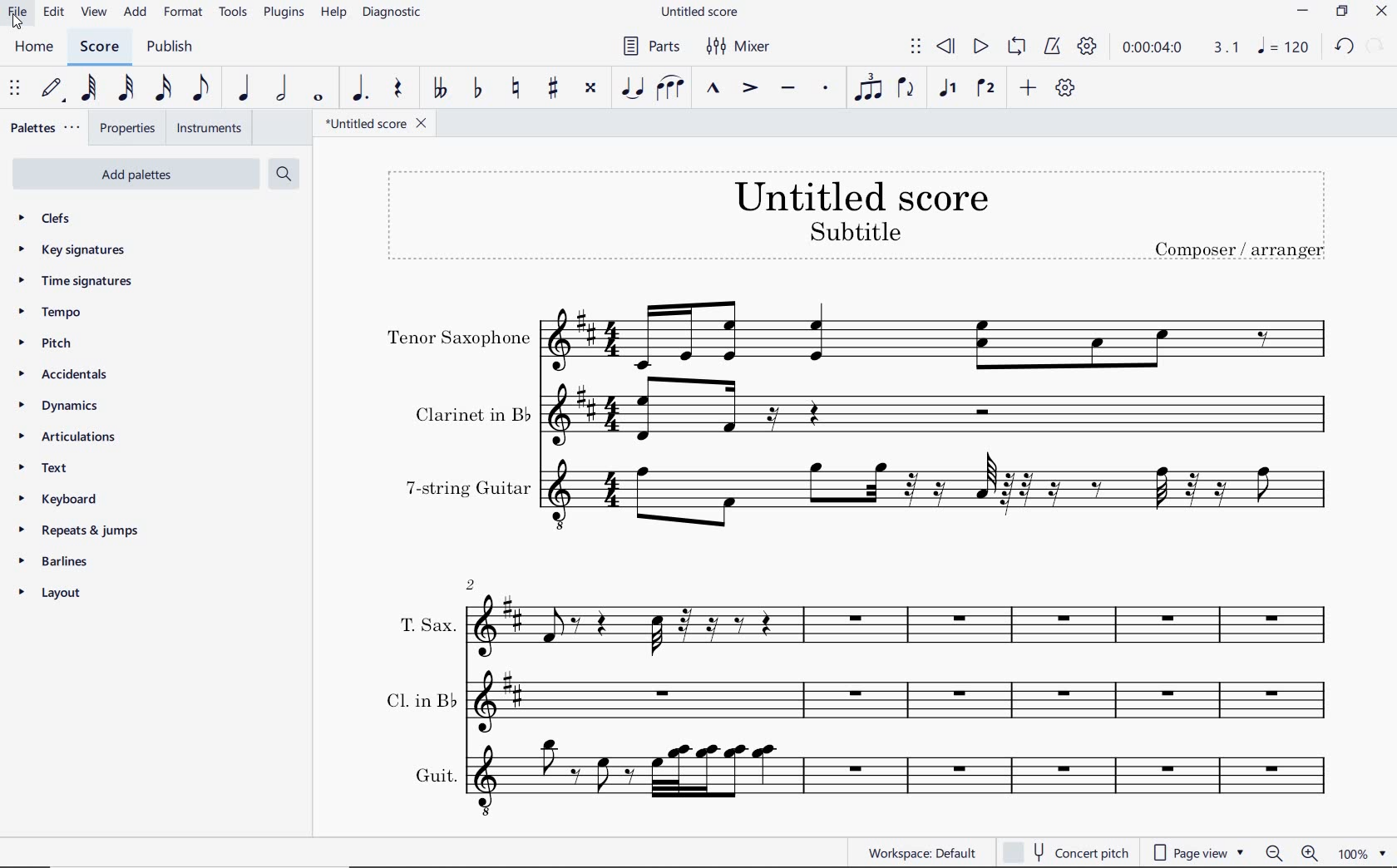 Image resolution: width=1397 pixels, height=868 pixels. Describe the element at coordinates (46, 129) in the screenshot. I see `PALETTES` at that location.